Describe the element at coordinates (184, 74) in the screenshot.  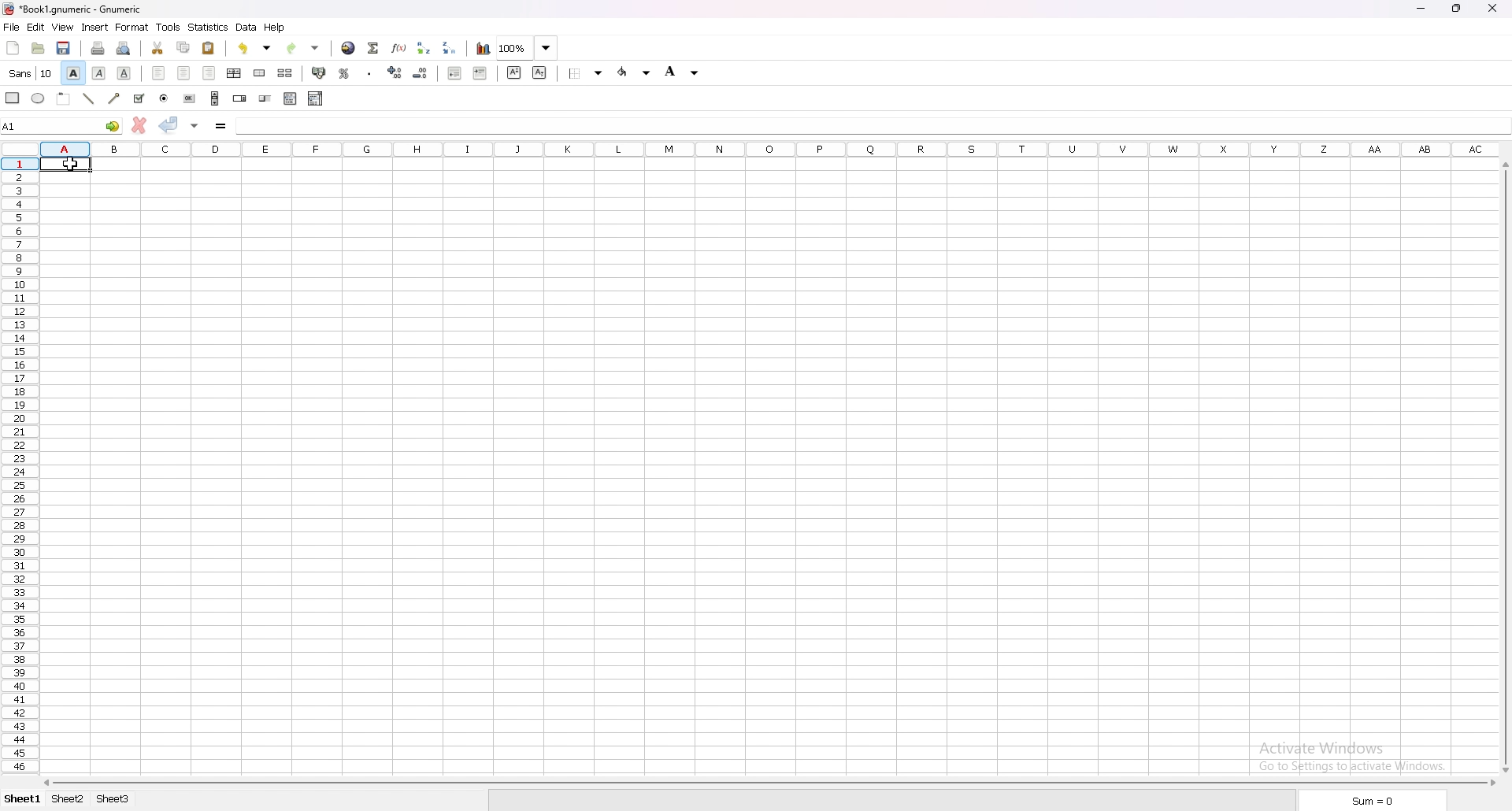
I see `centre` at that location.